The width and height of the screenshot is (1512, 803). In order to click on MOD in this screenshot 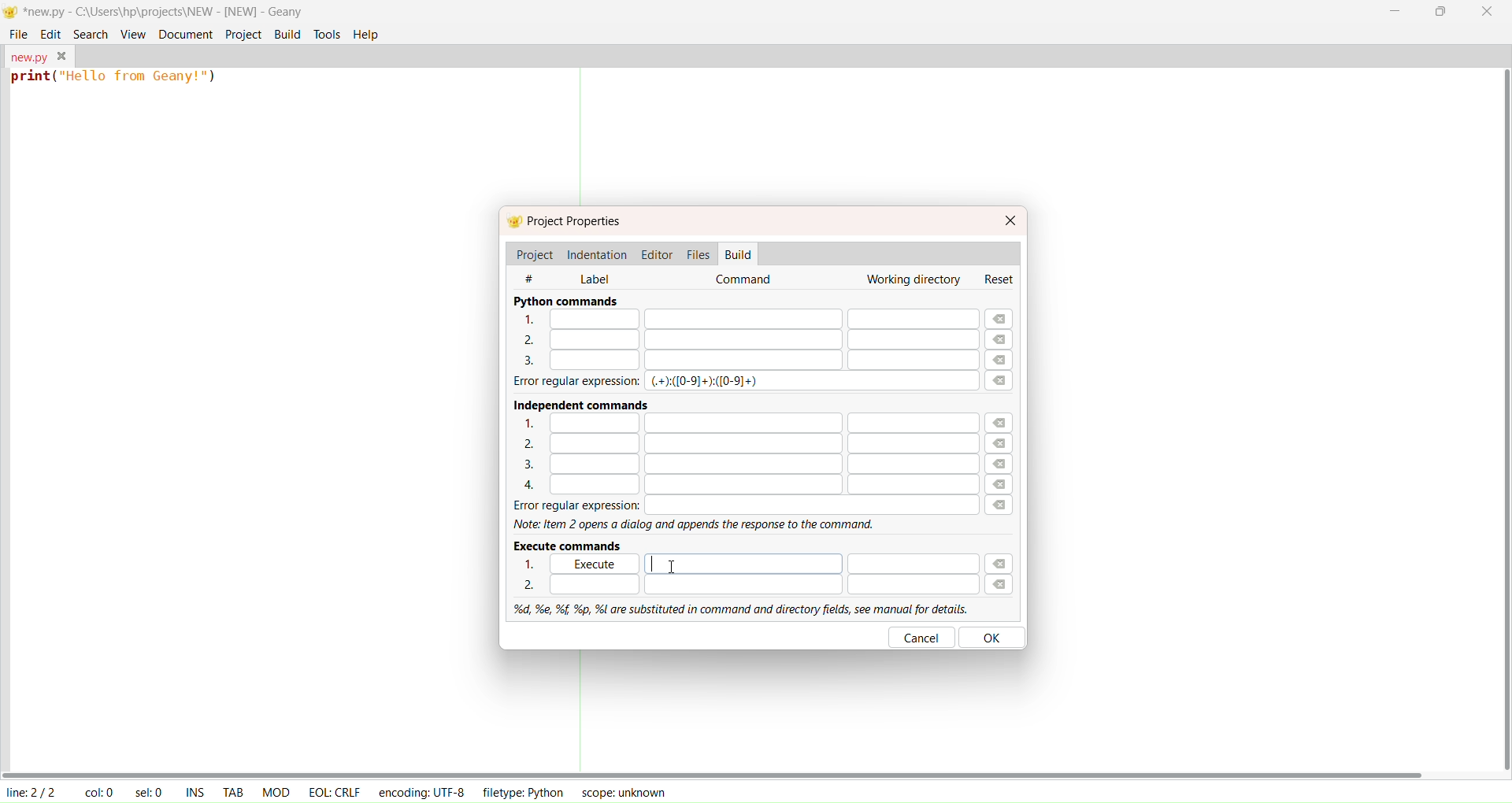, I will do `click(276, 790)`.